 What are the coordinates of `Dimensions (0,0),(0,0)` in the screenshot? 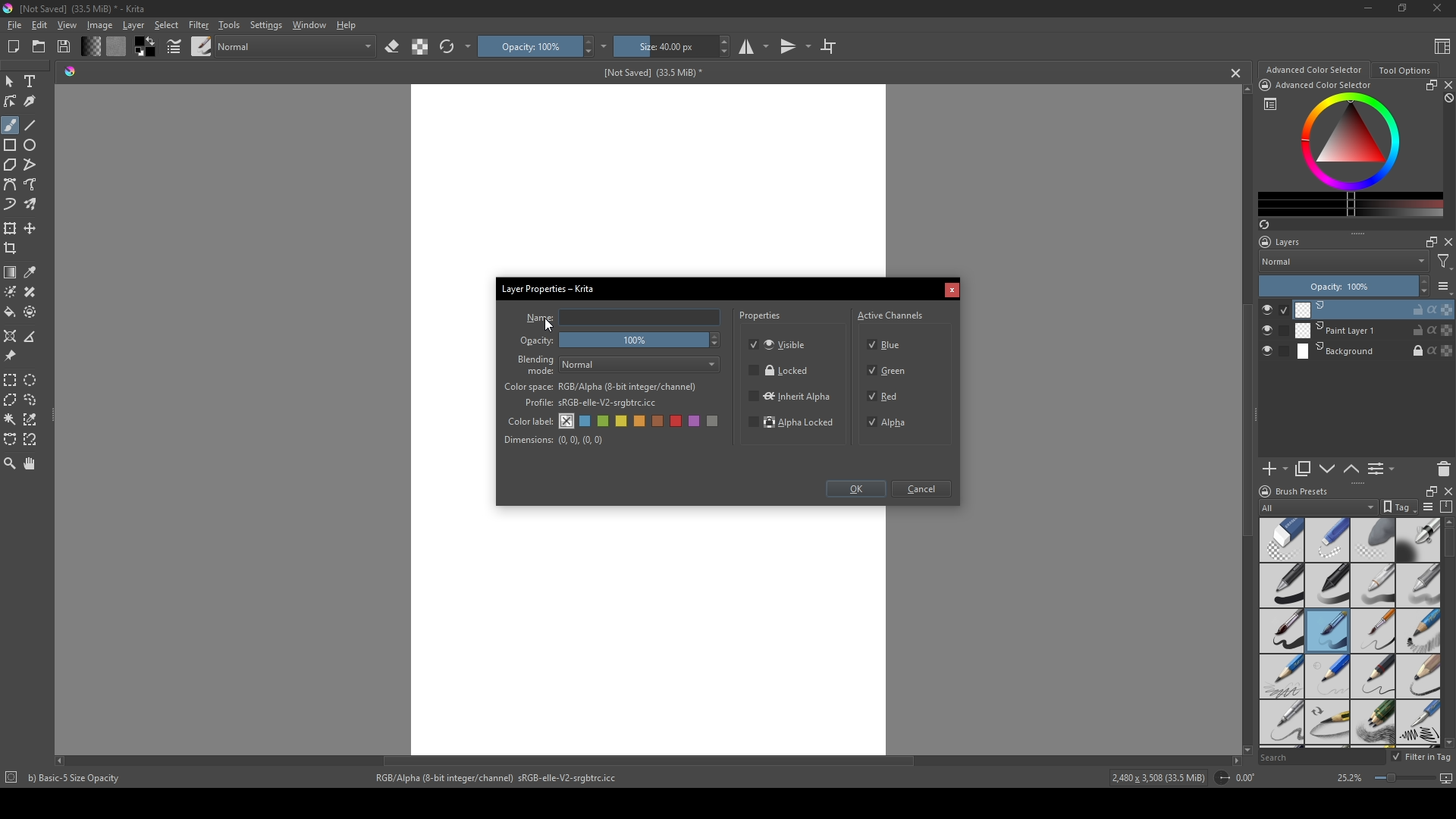 It's located at (554, 440).